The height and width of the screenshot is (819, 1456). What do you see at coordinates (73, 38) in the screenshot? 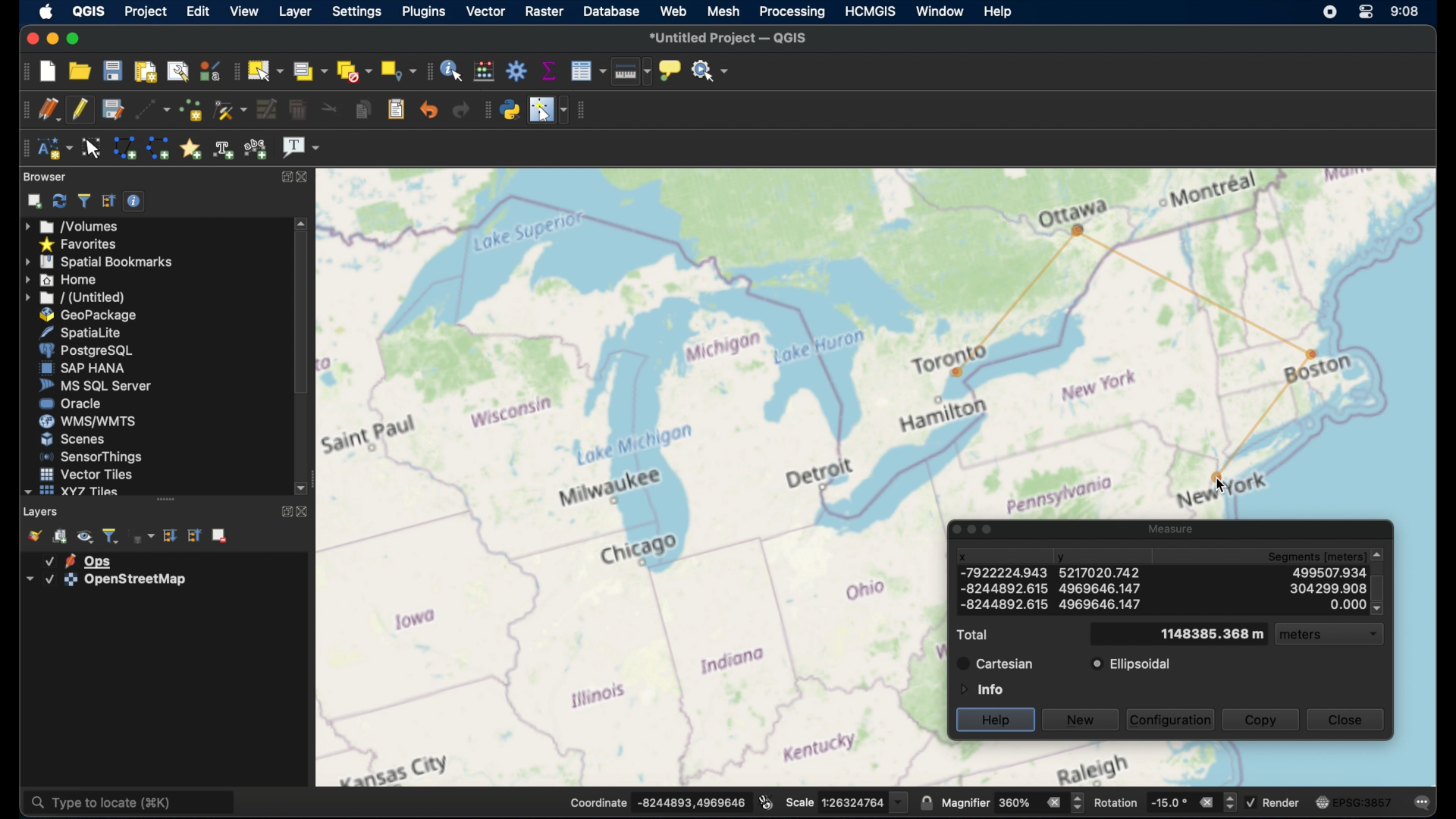
I see `maximize` at bounding box center [73, 38].